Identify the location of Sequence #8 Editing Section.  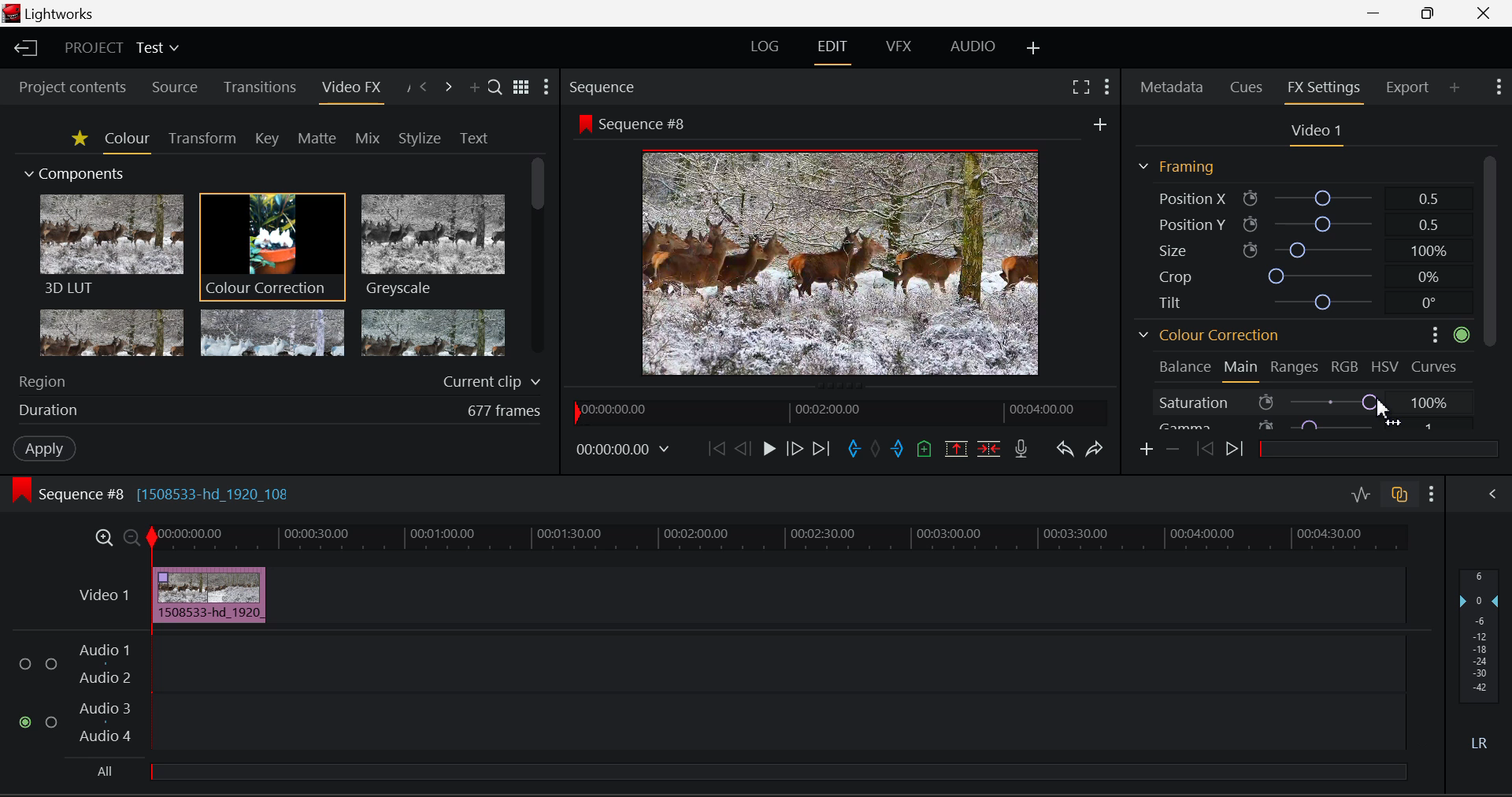
(148, 493).